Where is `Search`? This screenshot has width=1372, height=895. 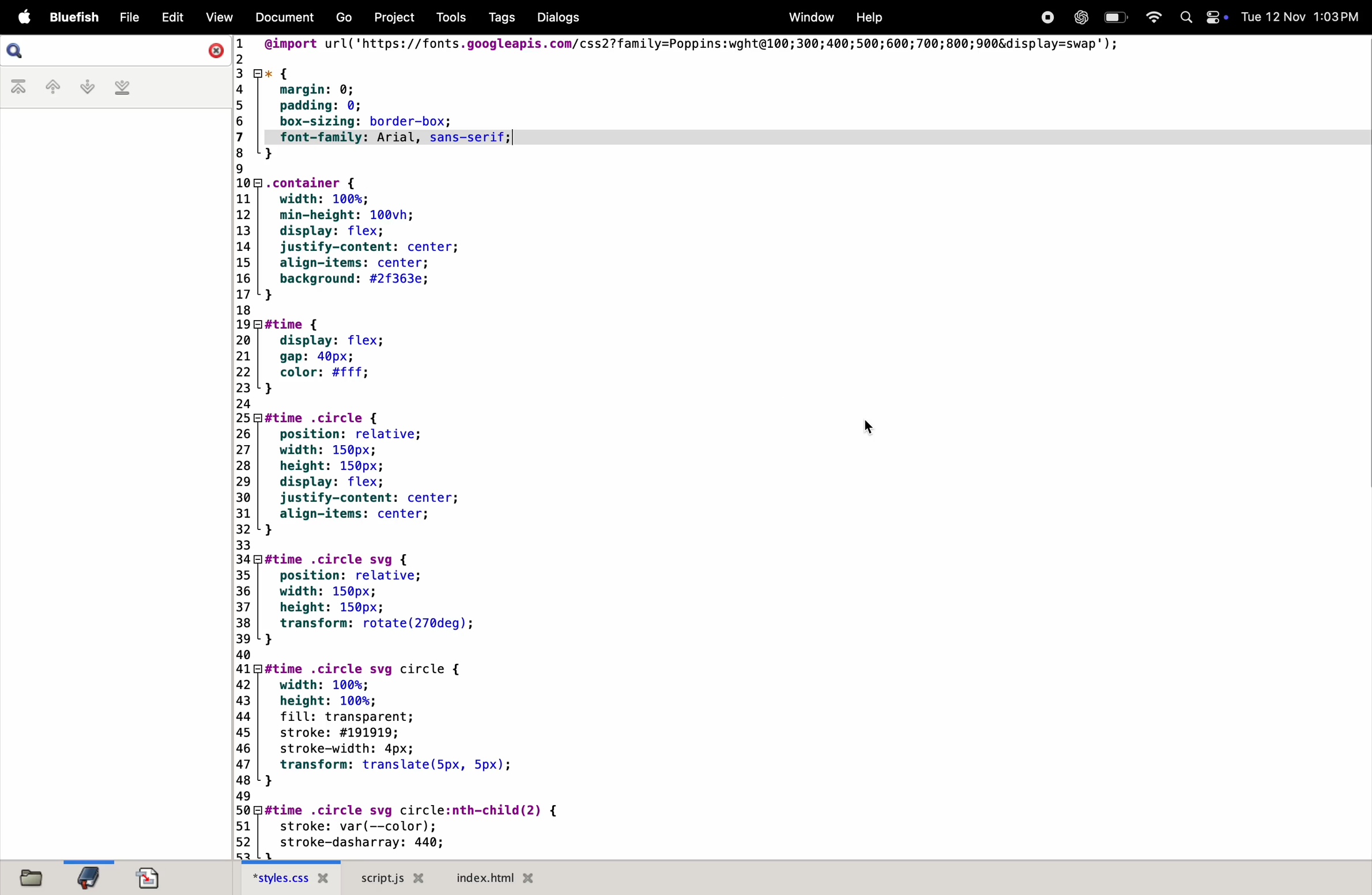 Search is located at coordinates (16, 51).